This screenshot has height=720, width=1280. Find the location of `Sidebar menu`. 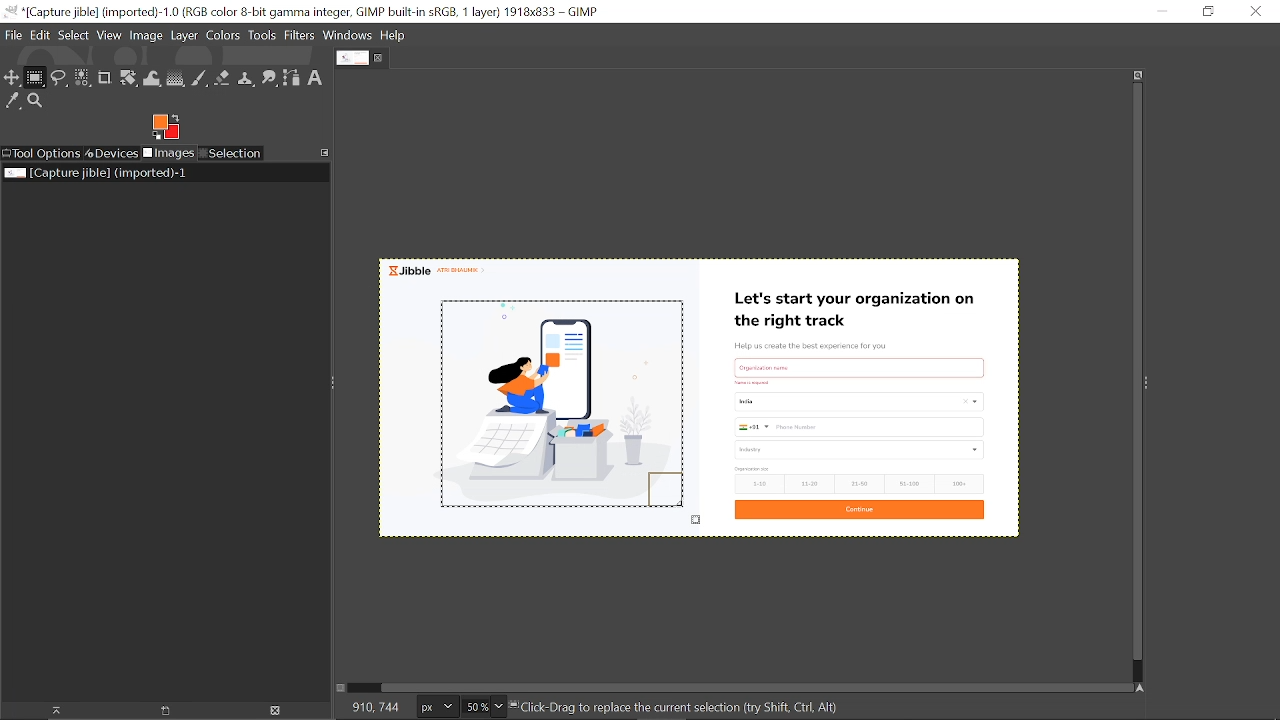

Sidebar menu is located at coordinates (1152, 384).